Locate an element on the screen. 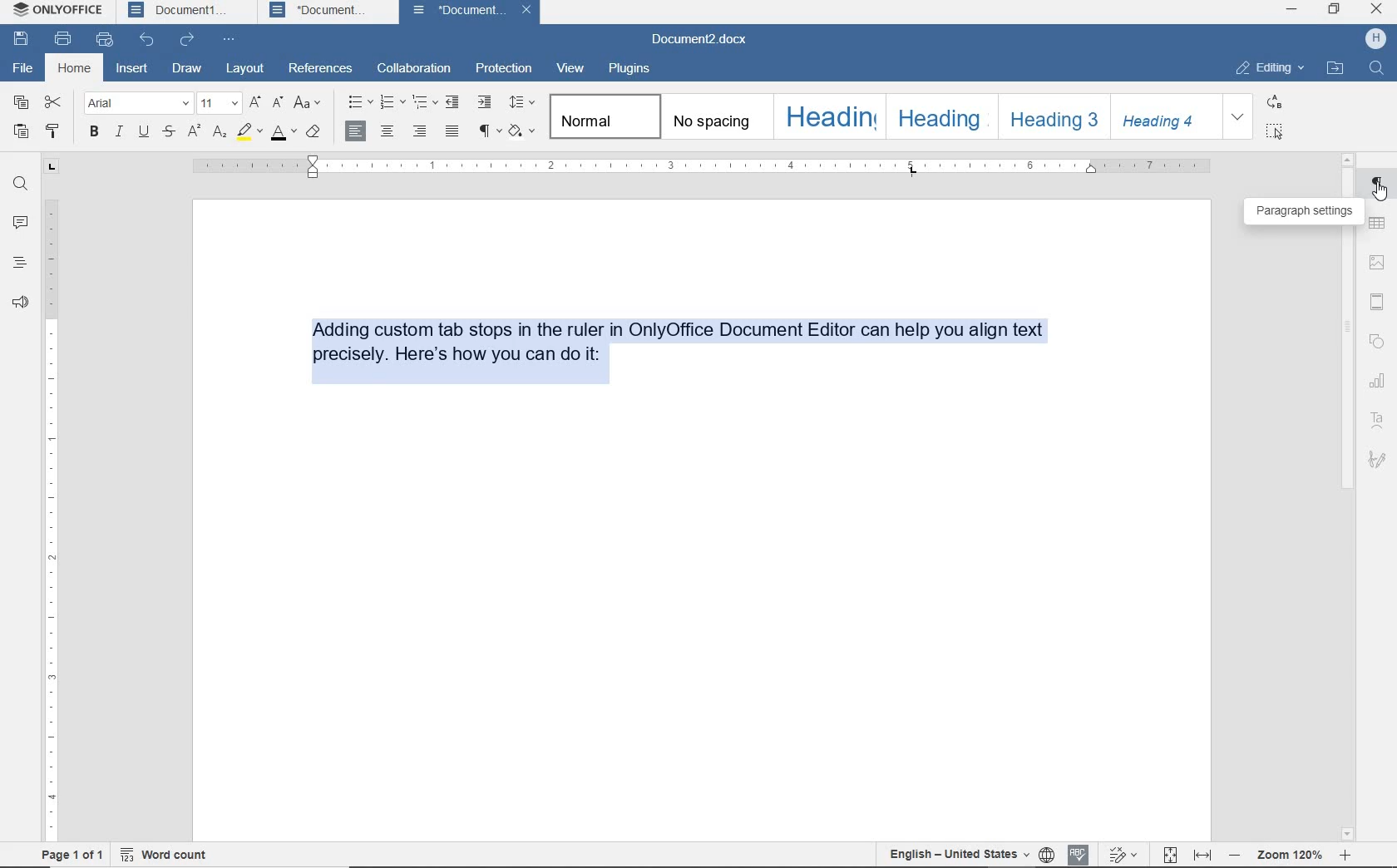  redo is located at coordinates (188, 42).